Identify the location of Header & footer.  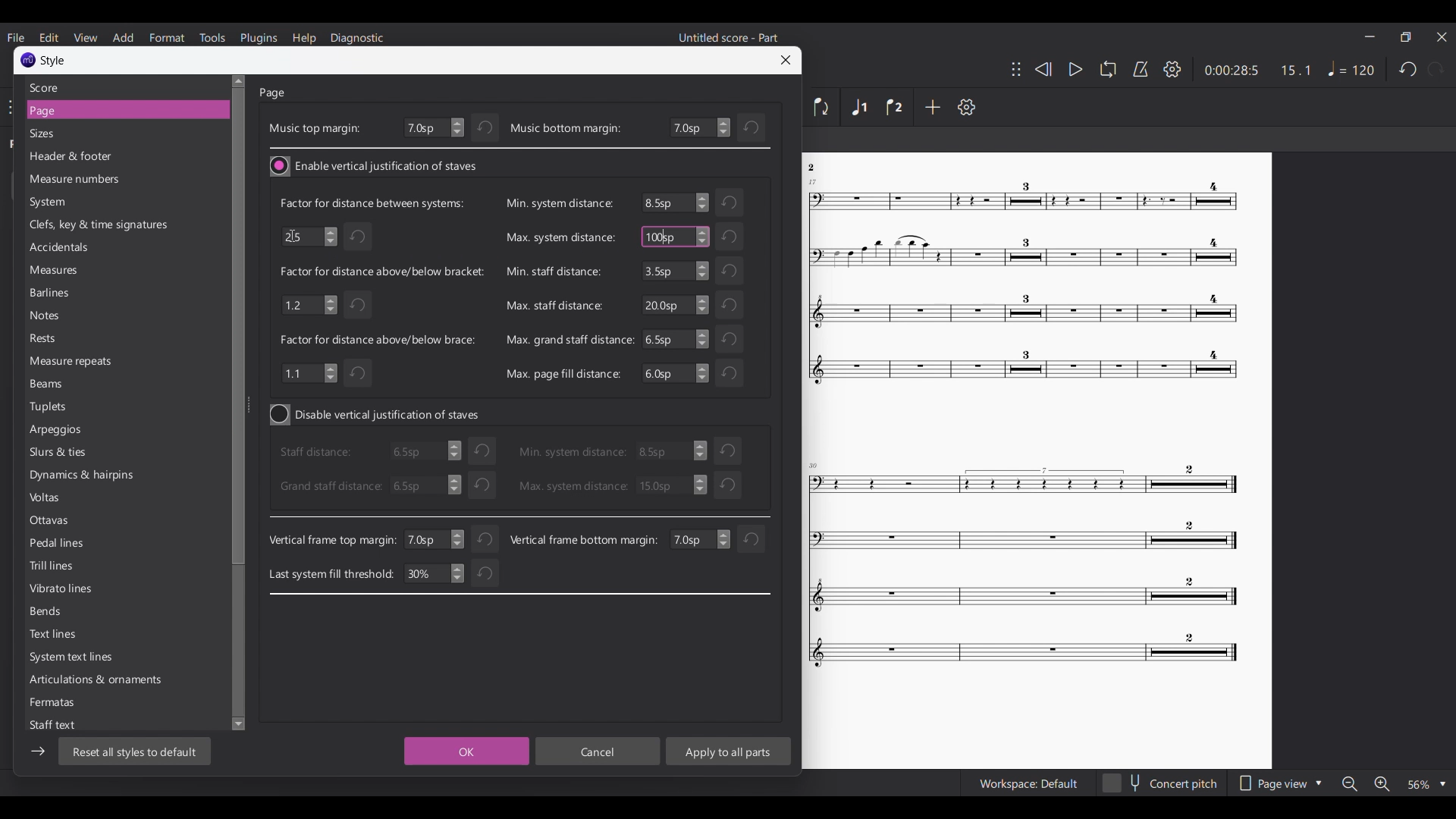
(114, 158).